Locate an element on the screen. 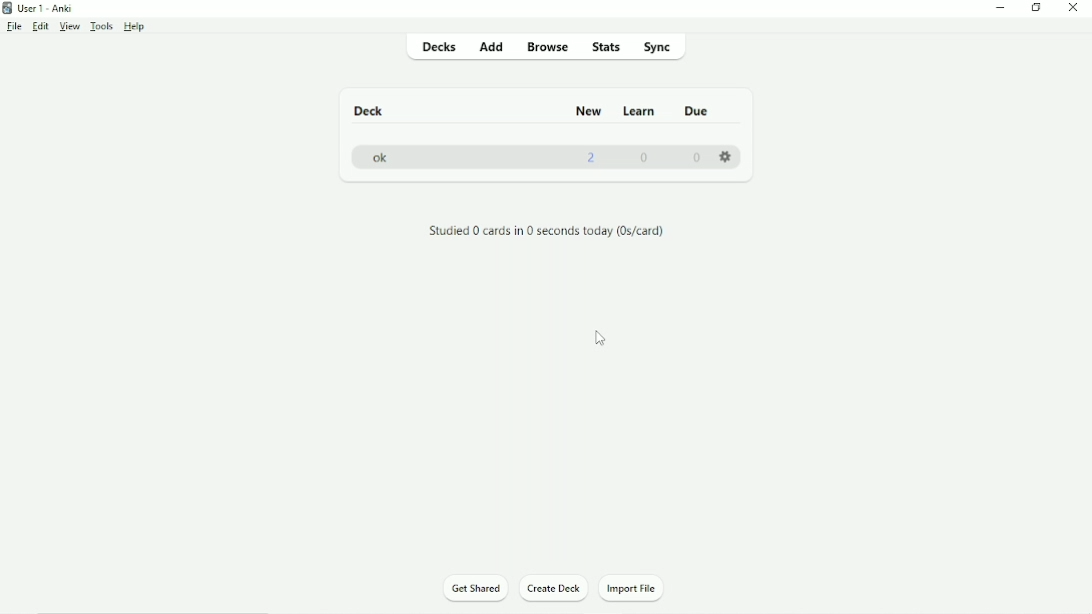 The height and width of the screenshot is (614, 1092). Restore down is located at coordinates (1037, 8).